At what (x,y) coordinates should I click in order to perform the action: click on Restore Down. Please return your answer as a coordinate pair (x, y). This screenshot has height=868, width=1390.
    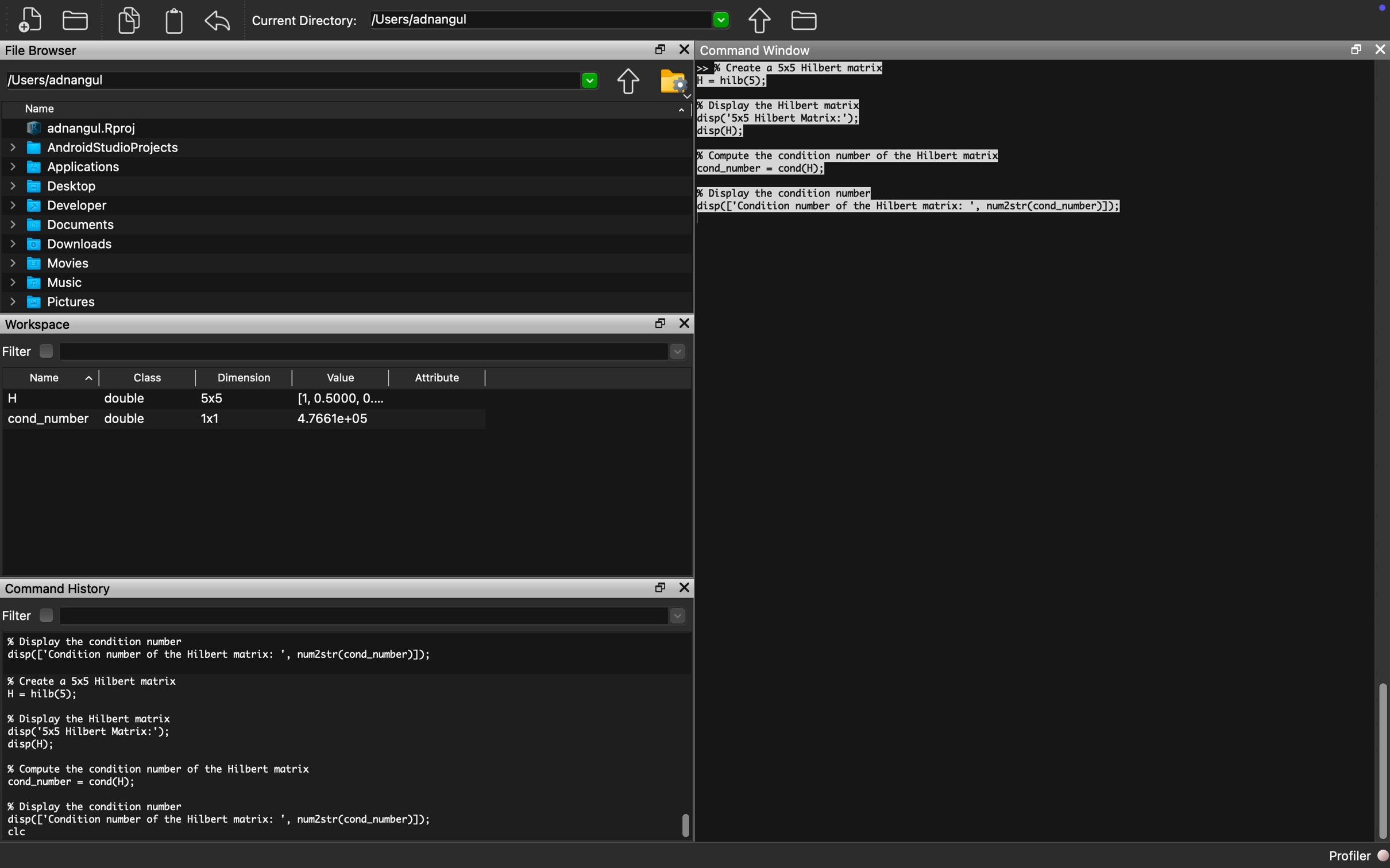
    Looking at the image, I should click on (659, 49).